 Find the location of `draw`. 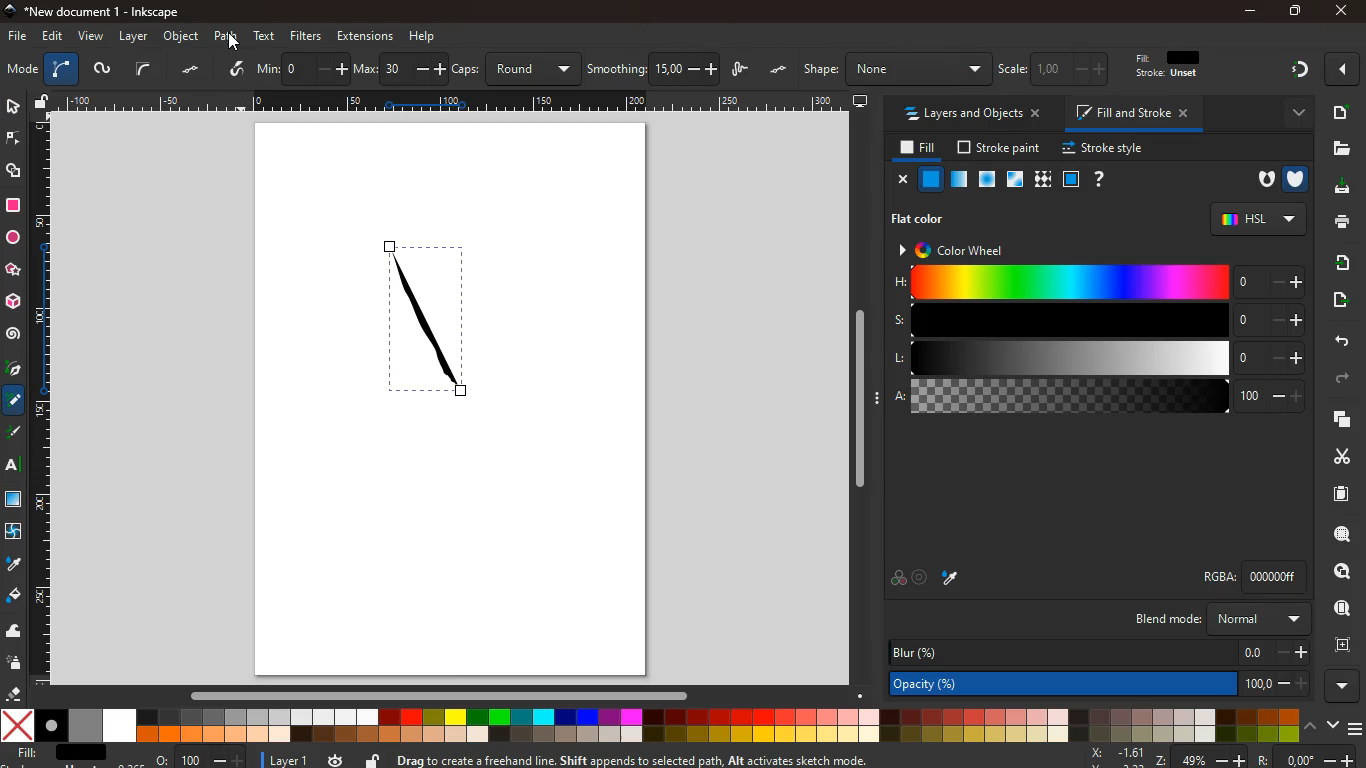

draw is located at coordinates (742, 71).